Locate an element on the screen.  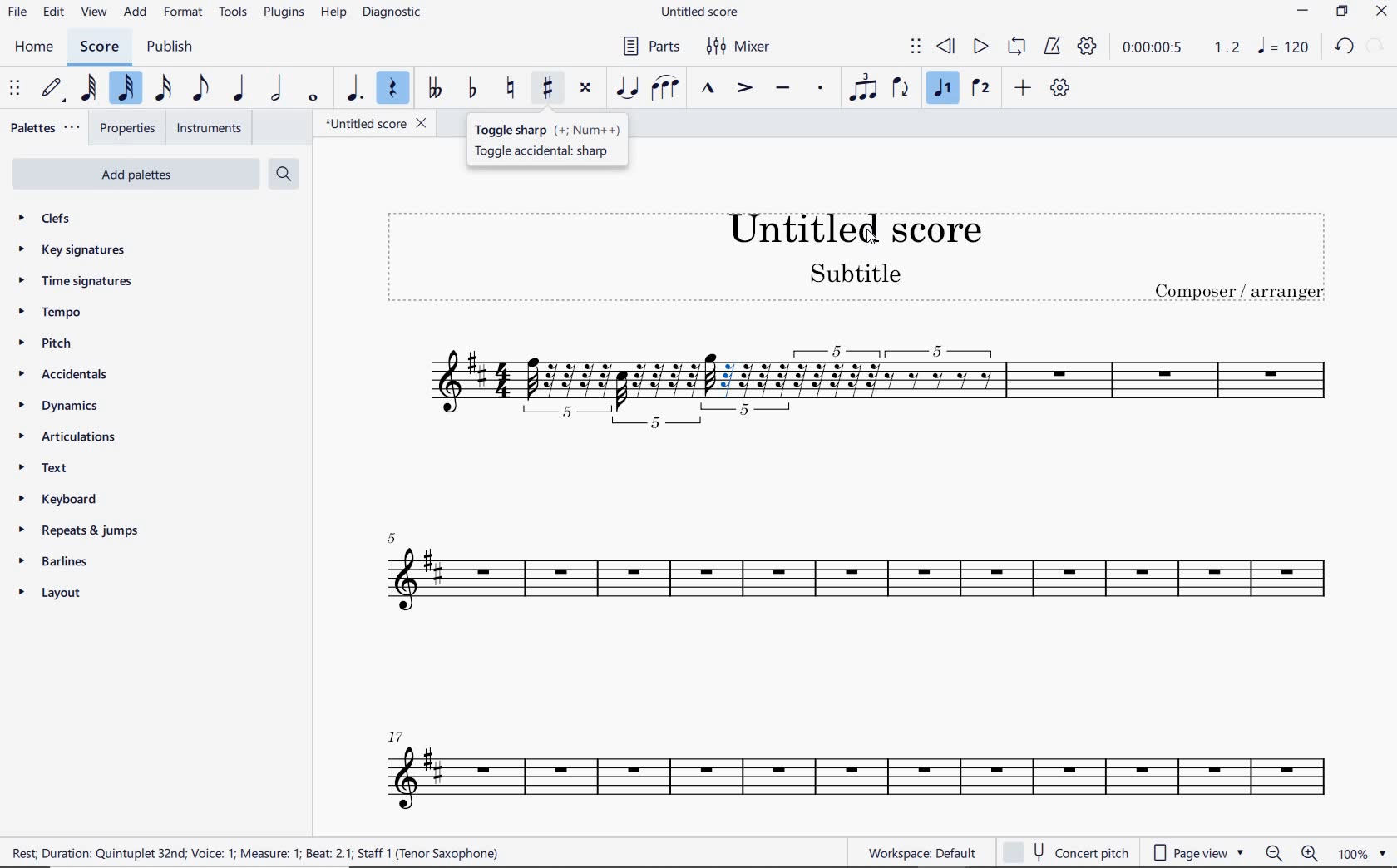
NOTE is located at coordinates (1282, 47).